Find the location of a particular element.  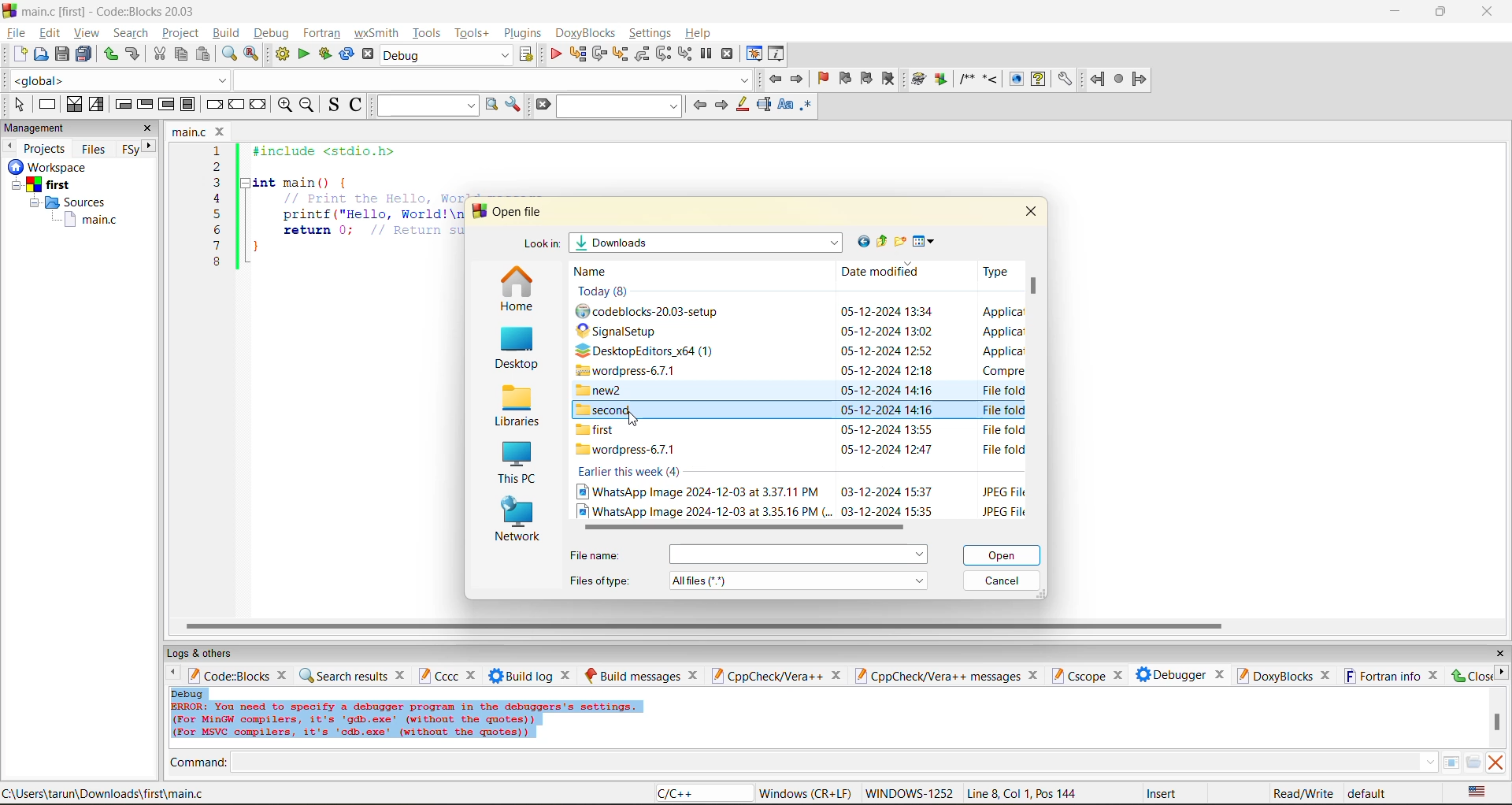

down is located at coordinates (1429, 762).